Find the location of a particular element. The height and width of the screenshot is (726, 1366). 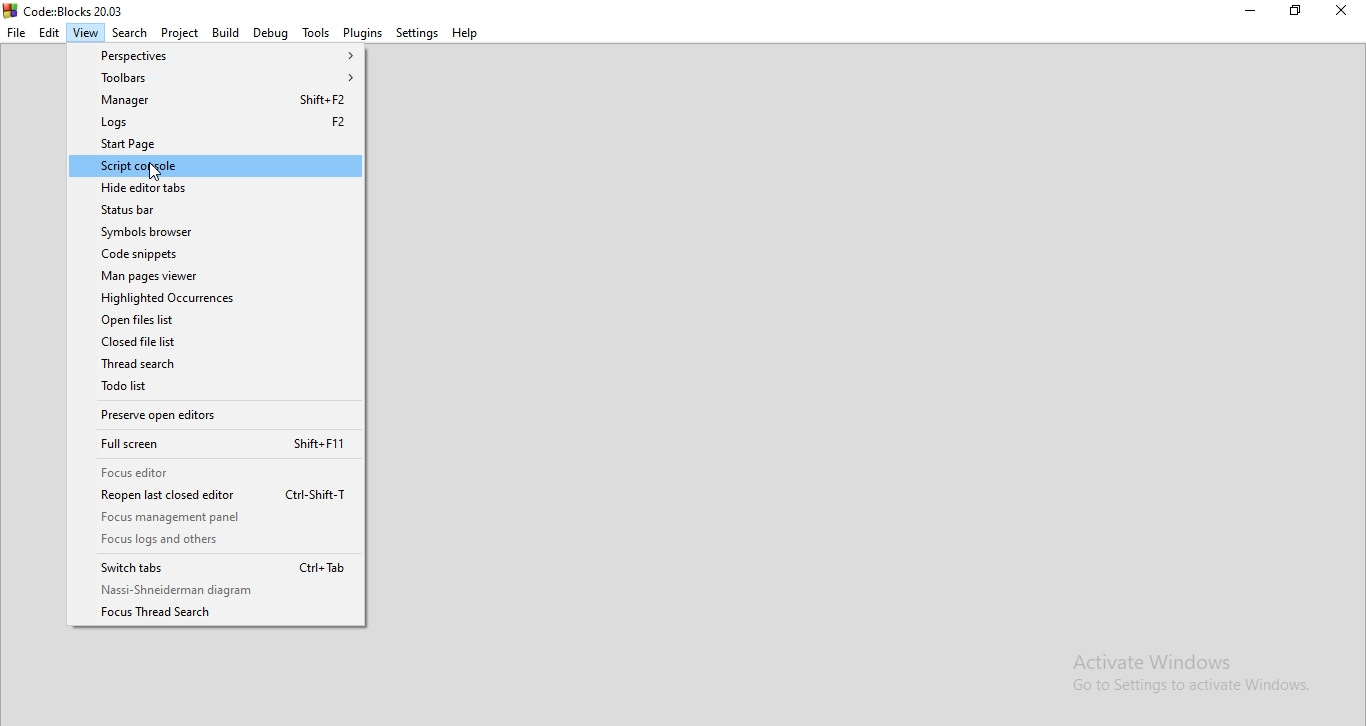

Edit  is located at coordinates (49, 33).